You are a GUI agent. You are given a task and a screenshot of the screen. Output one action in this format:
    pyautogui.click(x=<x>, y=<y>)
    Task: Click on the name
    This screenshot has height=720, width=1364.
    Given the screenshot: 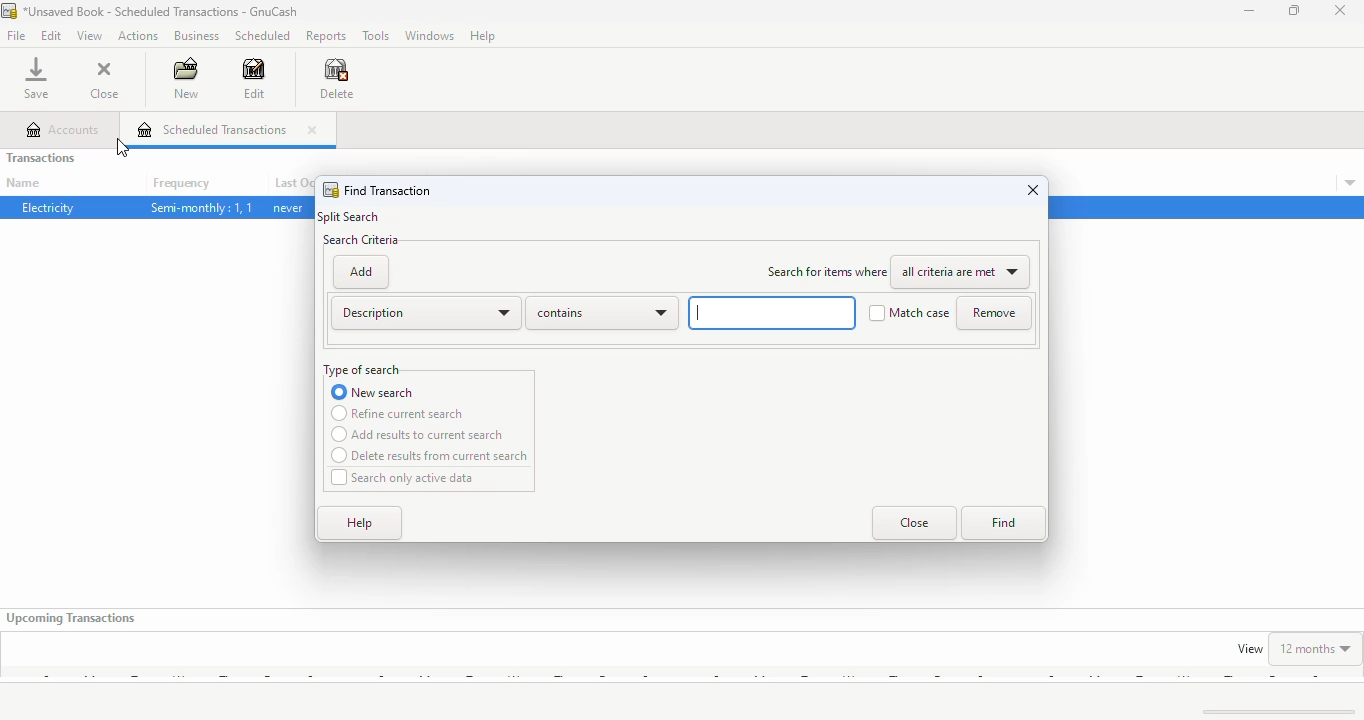 What is the action you would take?
    pyautogui.click(x=23, y=183)
    